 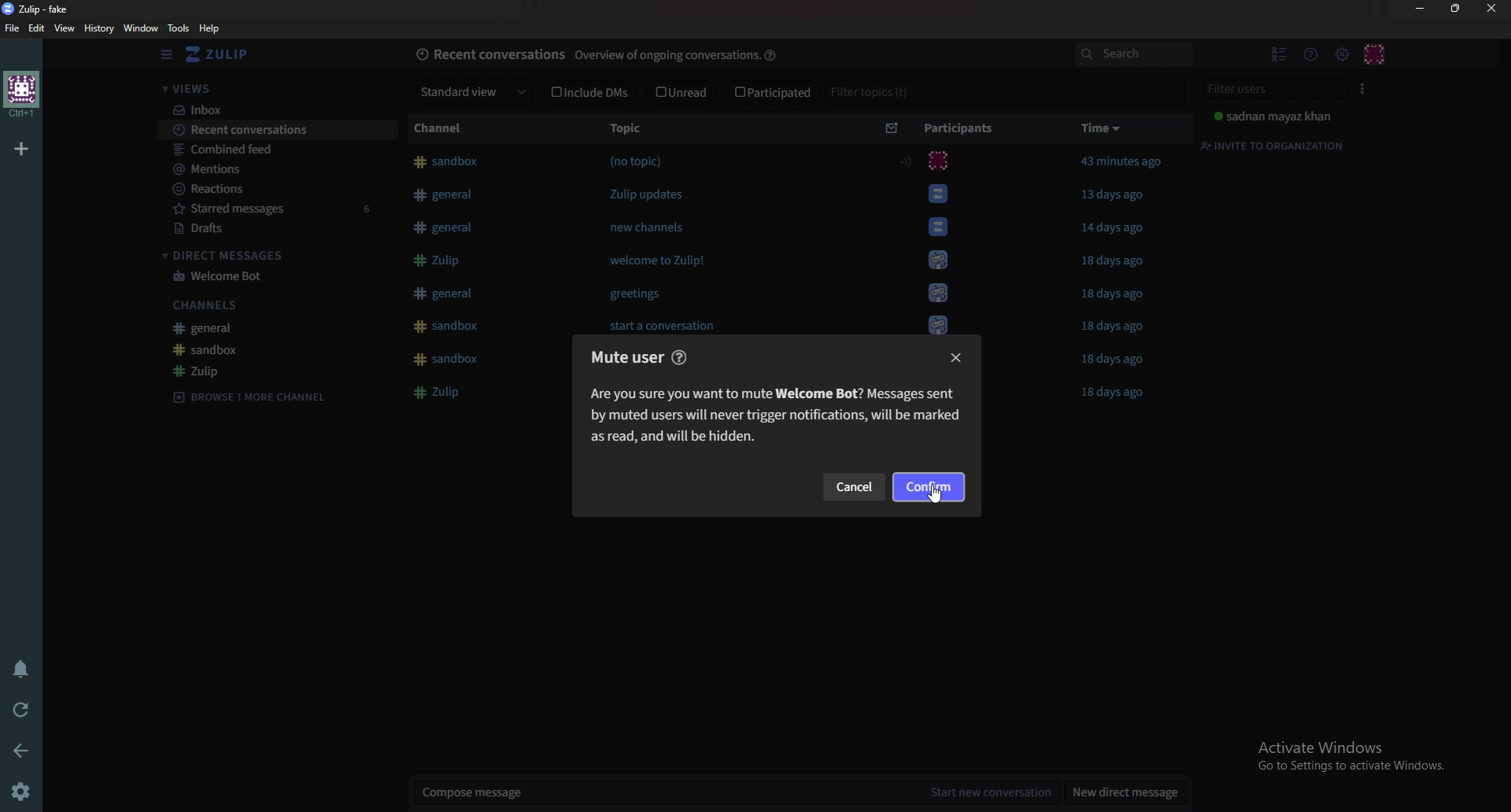 I want to click on greetings, so click(x=635, y=294).